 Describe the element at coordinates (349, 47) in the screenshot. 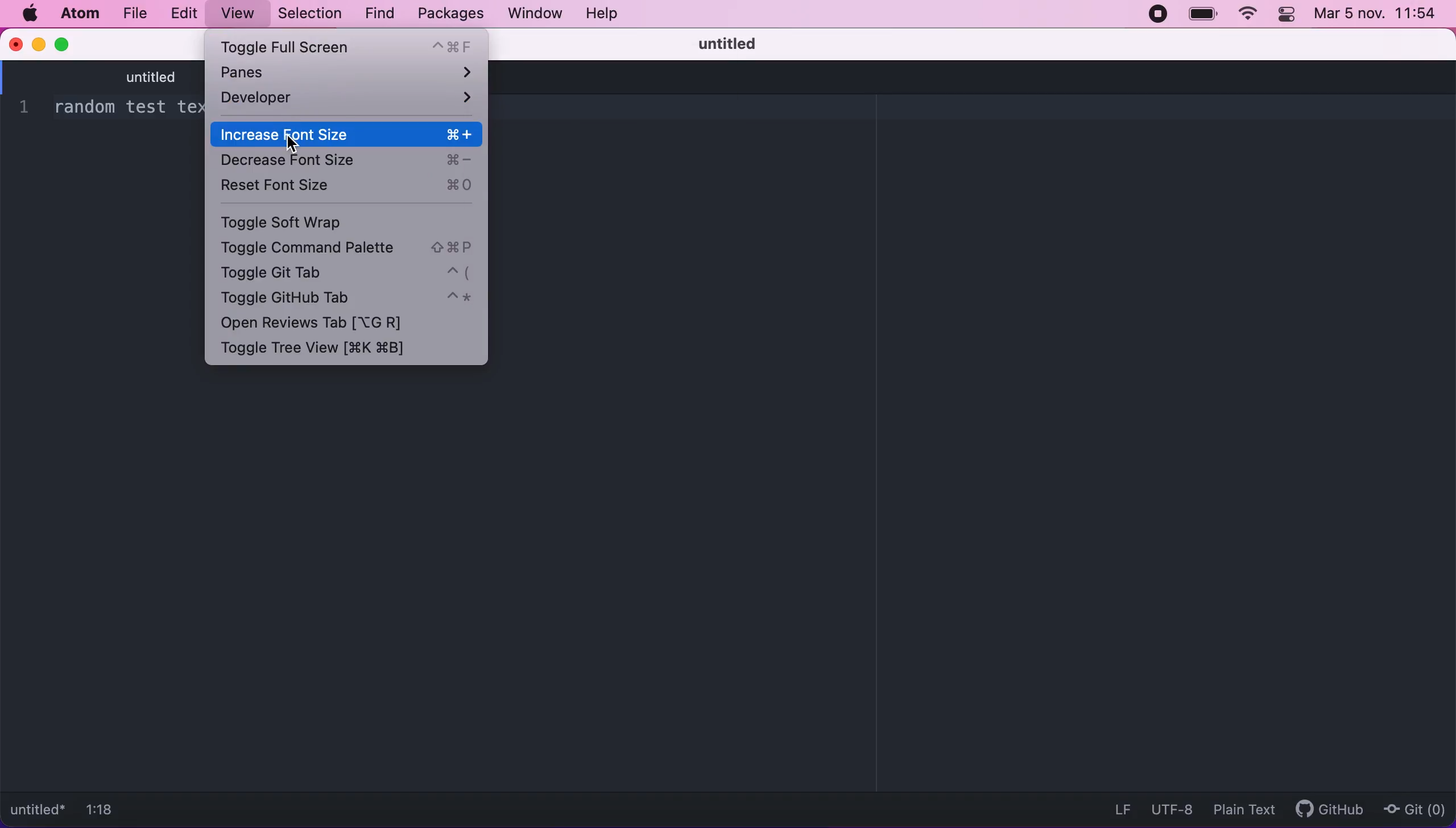

I see `toggle full screen` at that location.